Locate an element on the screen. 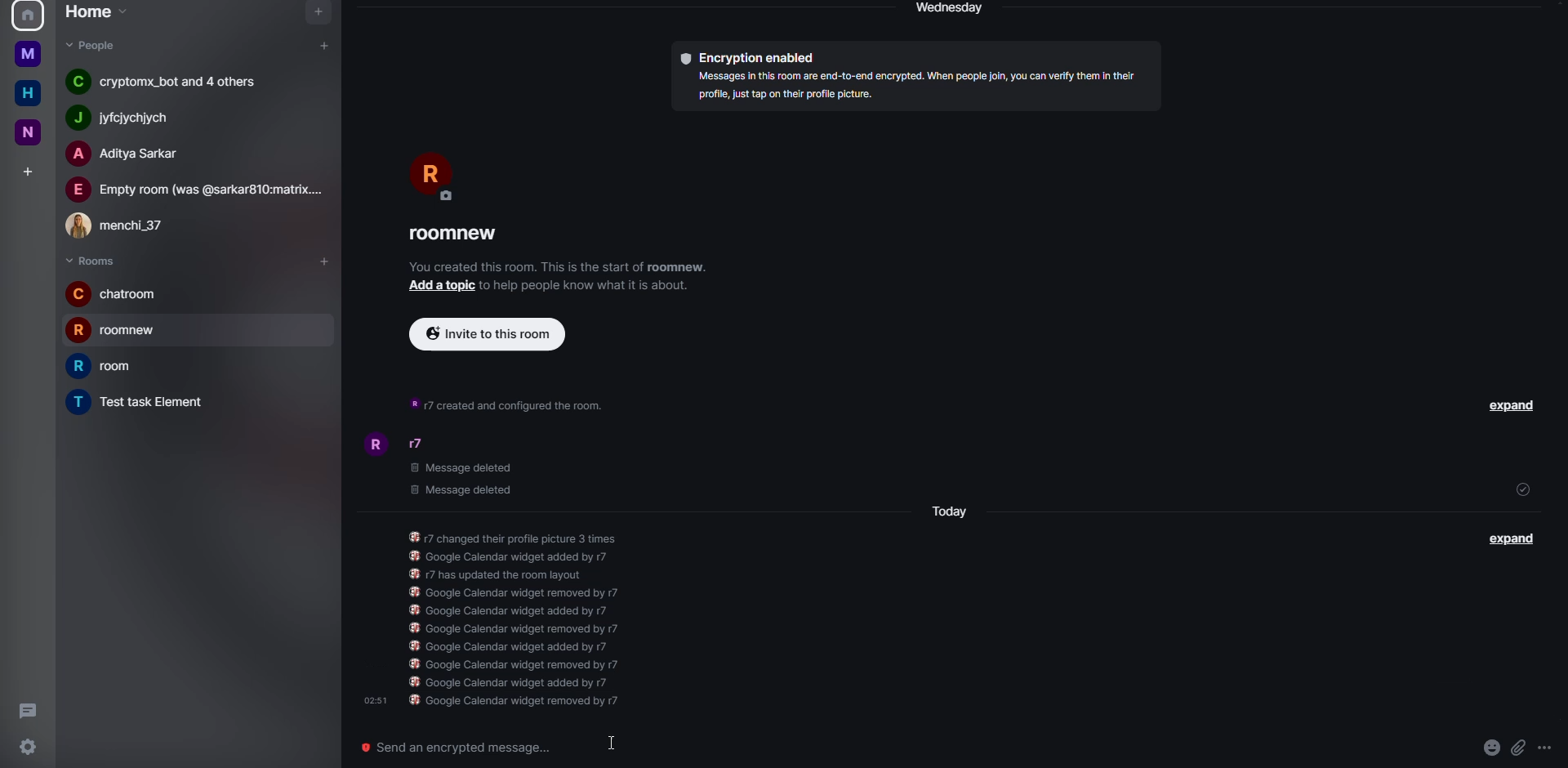 Image resolution: width=1568 pixels, height=768 pixels. threads is located at coordinates (27, 712).